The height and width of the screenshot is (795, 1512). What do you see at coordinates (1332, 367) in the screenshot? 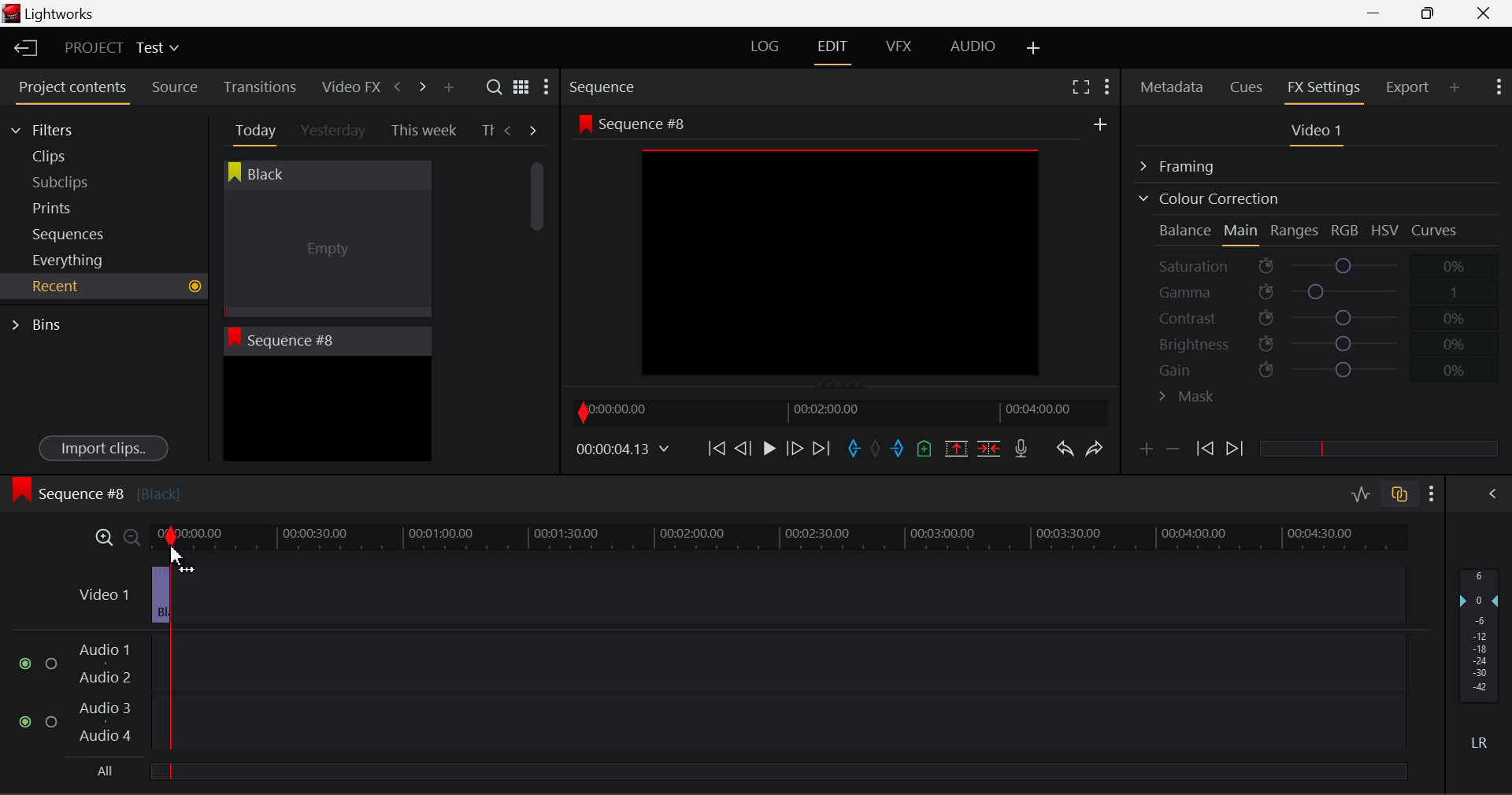
I see `Gain` at bounding box center [1332, 367].